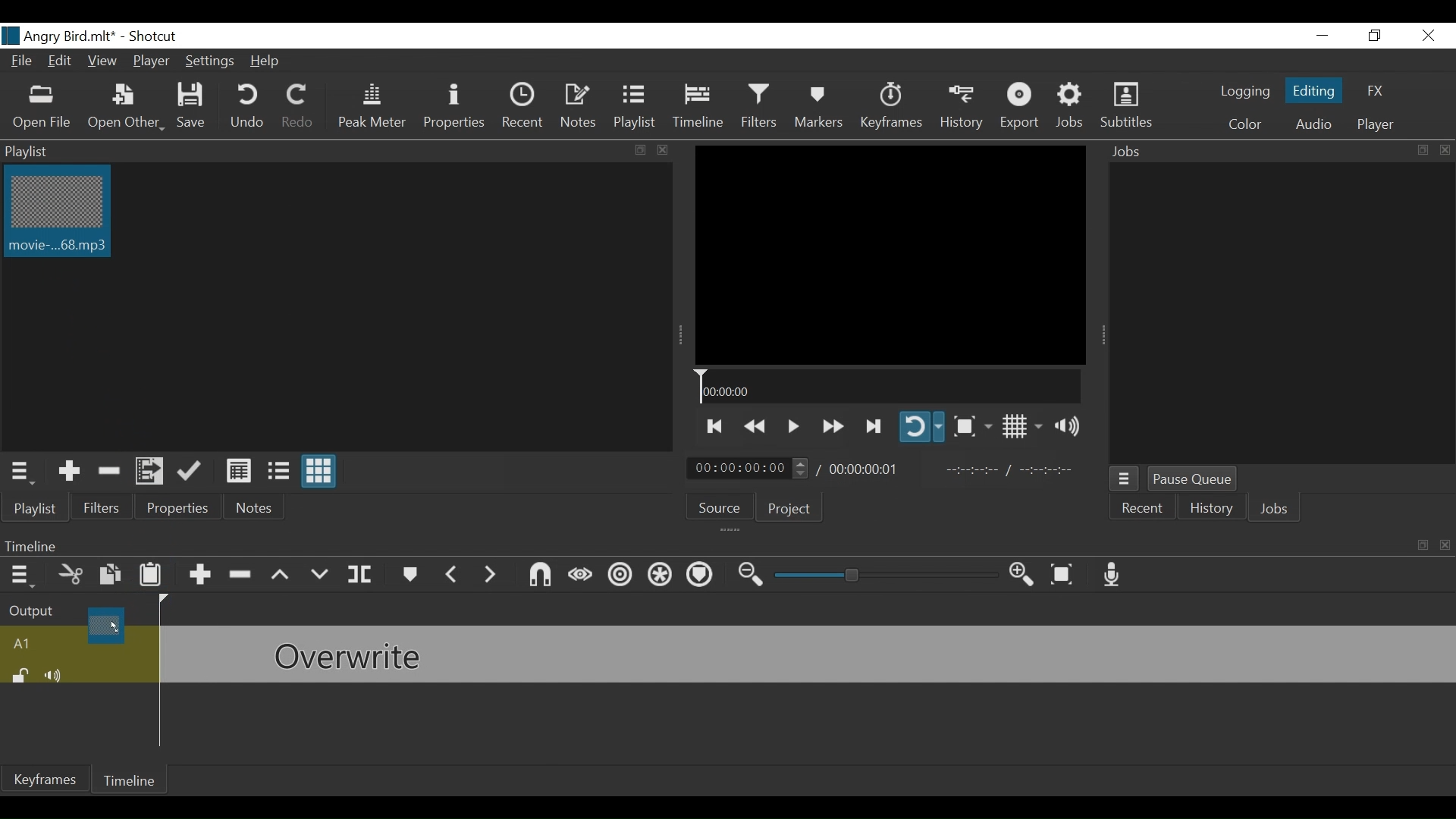  I want to click on Keyframes, so click(46, 779).